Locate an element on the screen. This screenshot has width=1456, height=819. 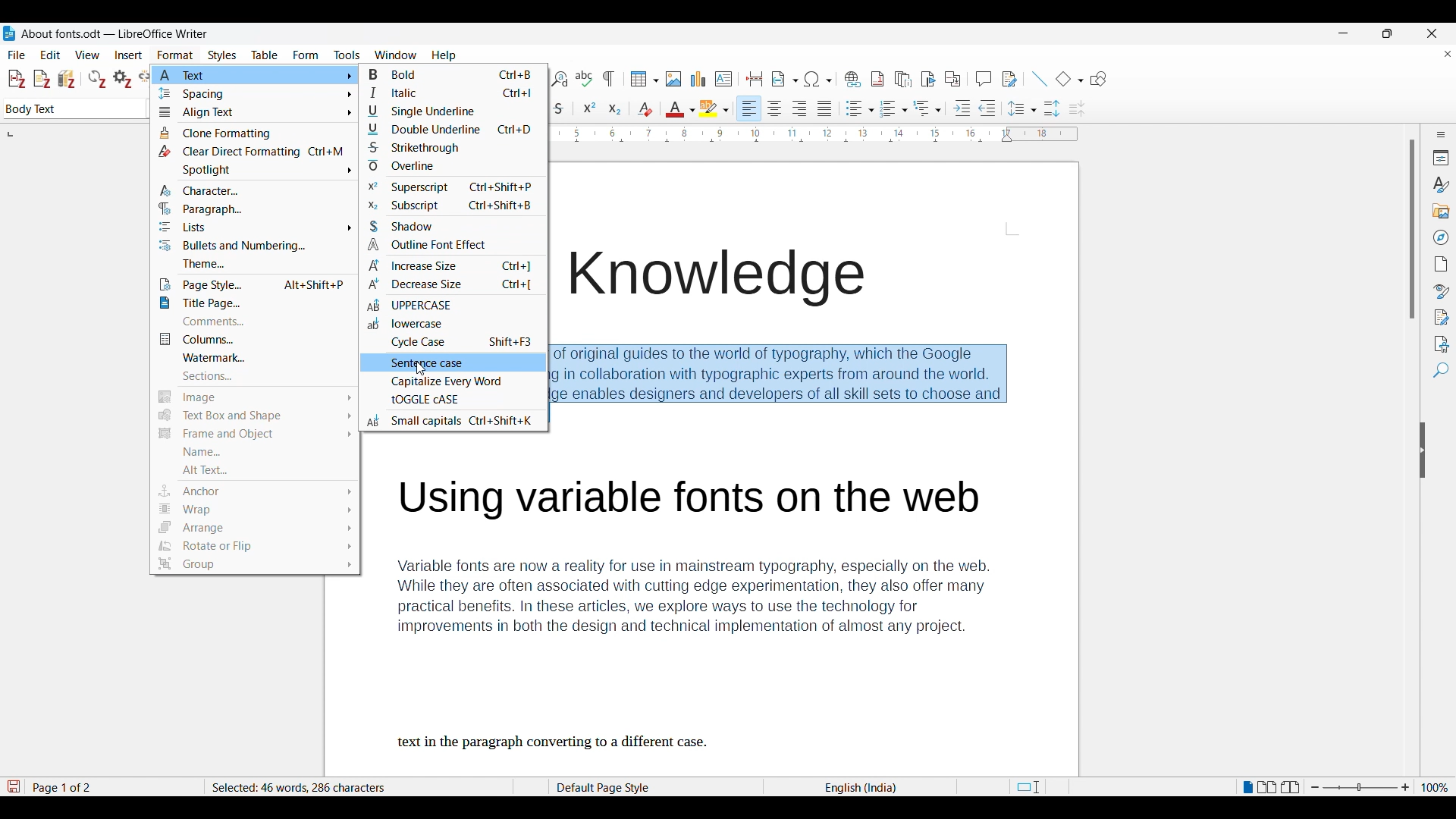
Strikethrough is located at coordinates (450, 146).